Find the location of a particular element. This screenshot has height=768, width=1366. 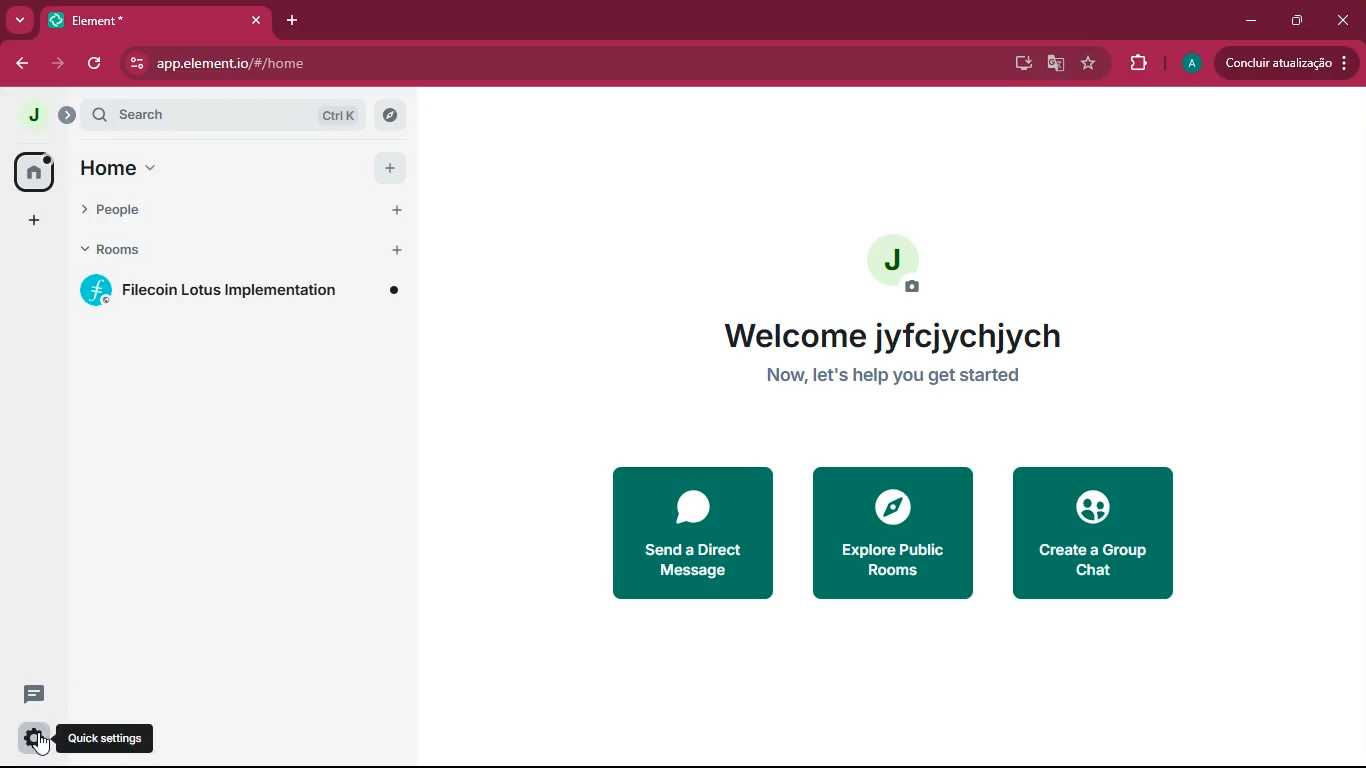

profile picture is located at coordinates (1189, 64).